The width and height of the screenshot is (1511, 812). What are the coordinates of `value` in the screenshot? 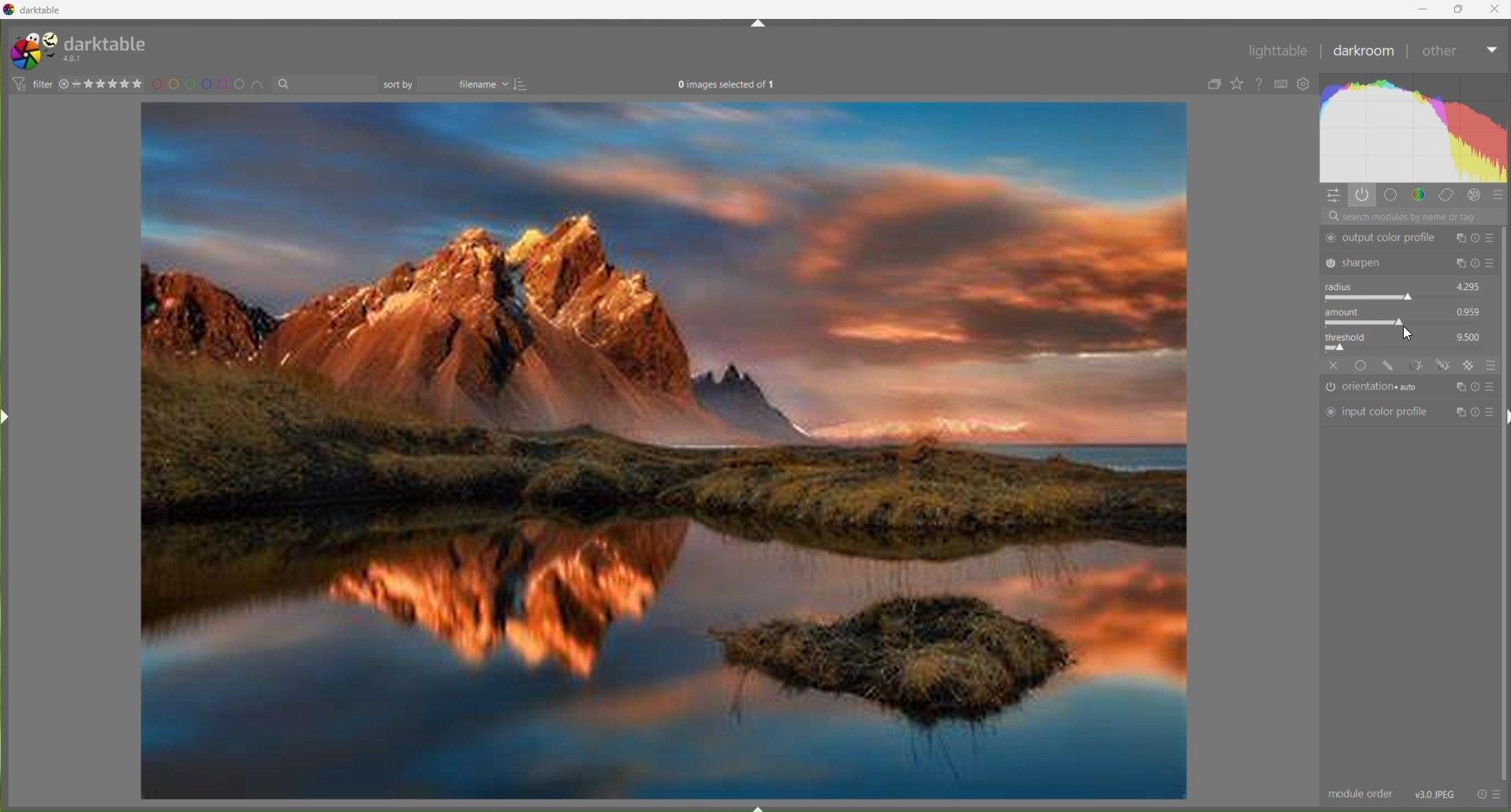 It's located at (1470, 335).